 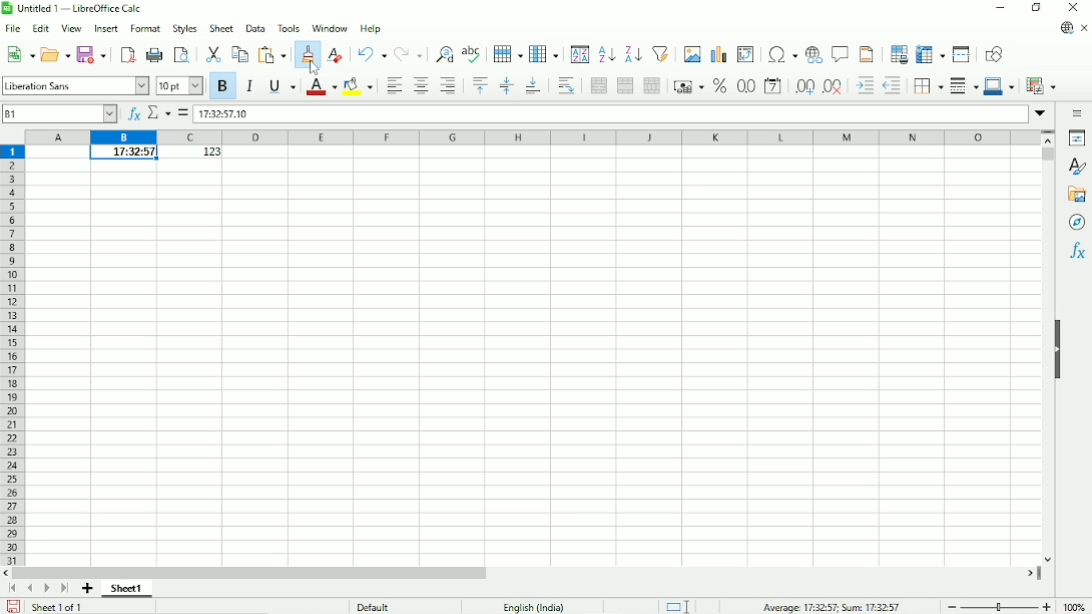 What do you see at coordinates (253, 574) in the screenshot?
I see `Horizontal scrollbar` at bounding box center [253, 574].